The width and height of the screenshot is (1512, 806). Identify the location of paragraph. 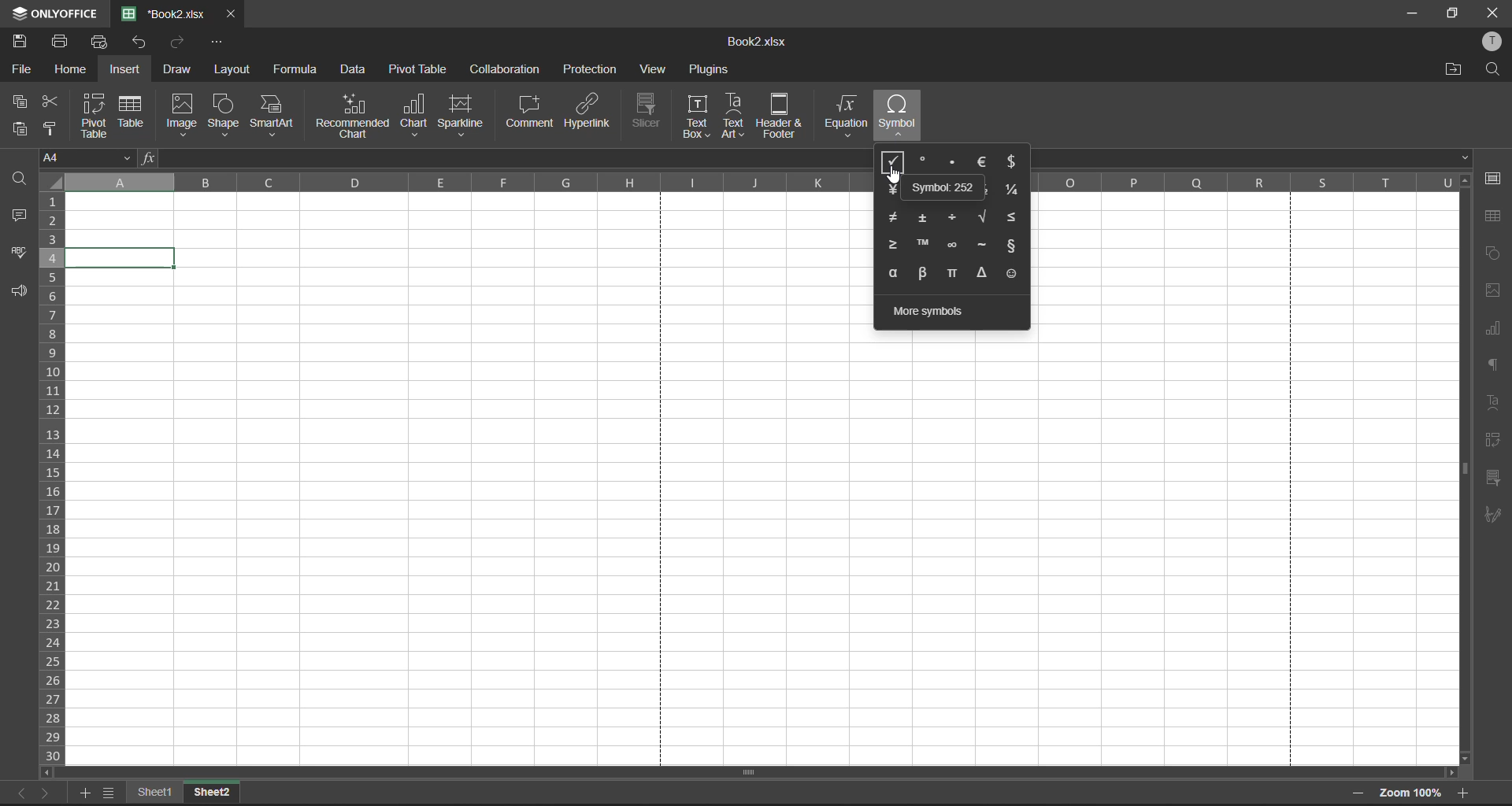
(1495, 364).